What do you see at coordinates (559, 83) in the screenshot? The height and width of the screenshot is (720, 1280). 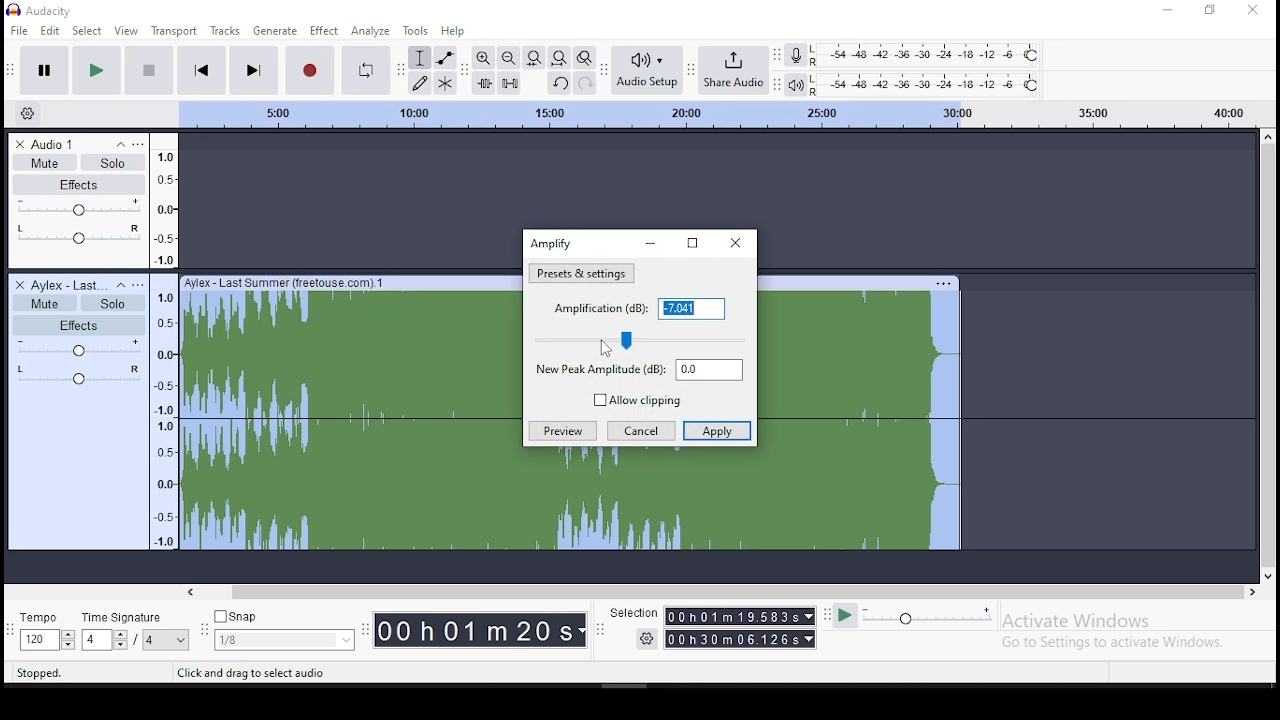 I see `undo` at bounding box center [559, 83].